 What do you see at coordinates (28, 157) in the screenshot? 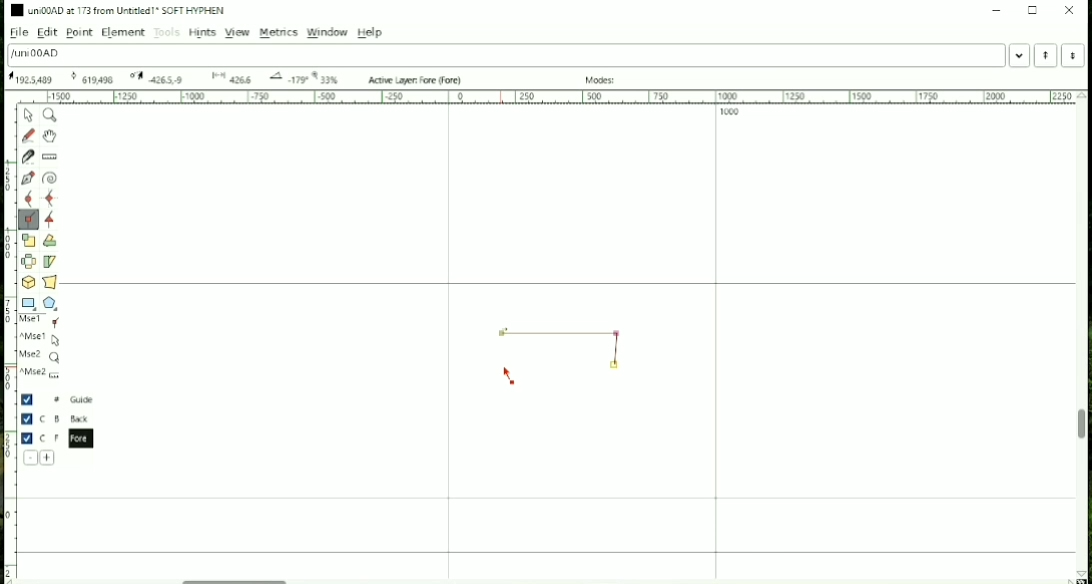
I see `Cut splines in two` at bounding box center [28, 157].